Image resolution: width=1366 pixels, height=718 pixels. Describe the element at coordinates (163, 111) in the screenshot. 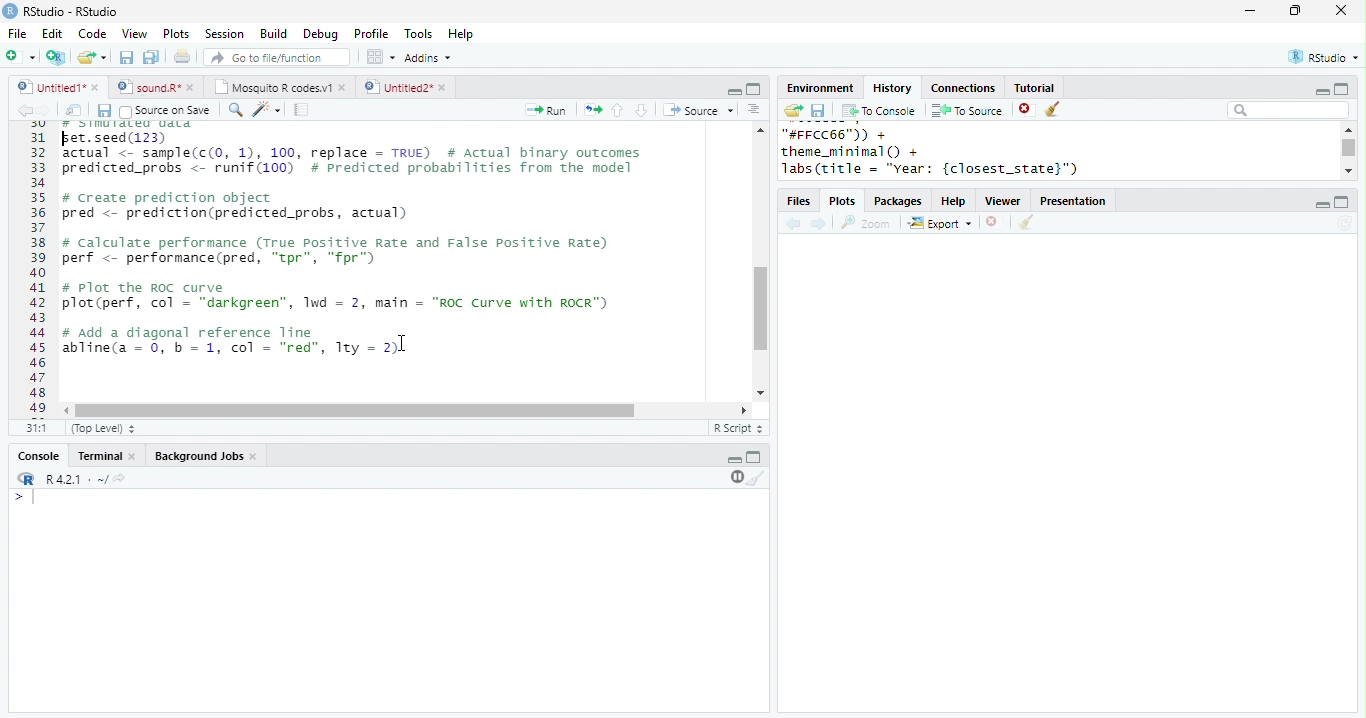

I see `Source on Save` at that location.